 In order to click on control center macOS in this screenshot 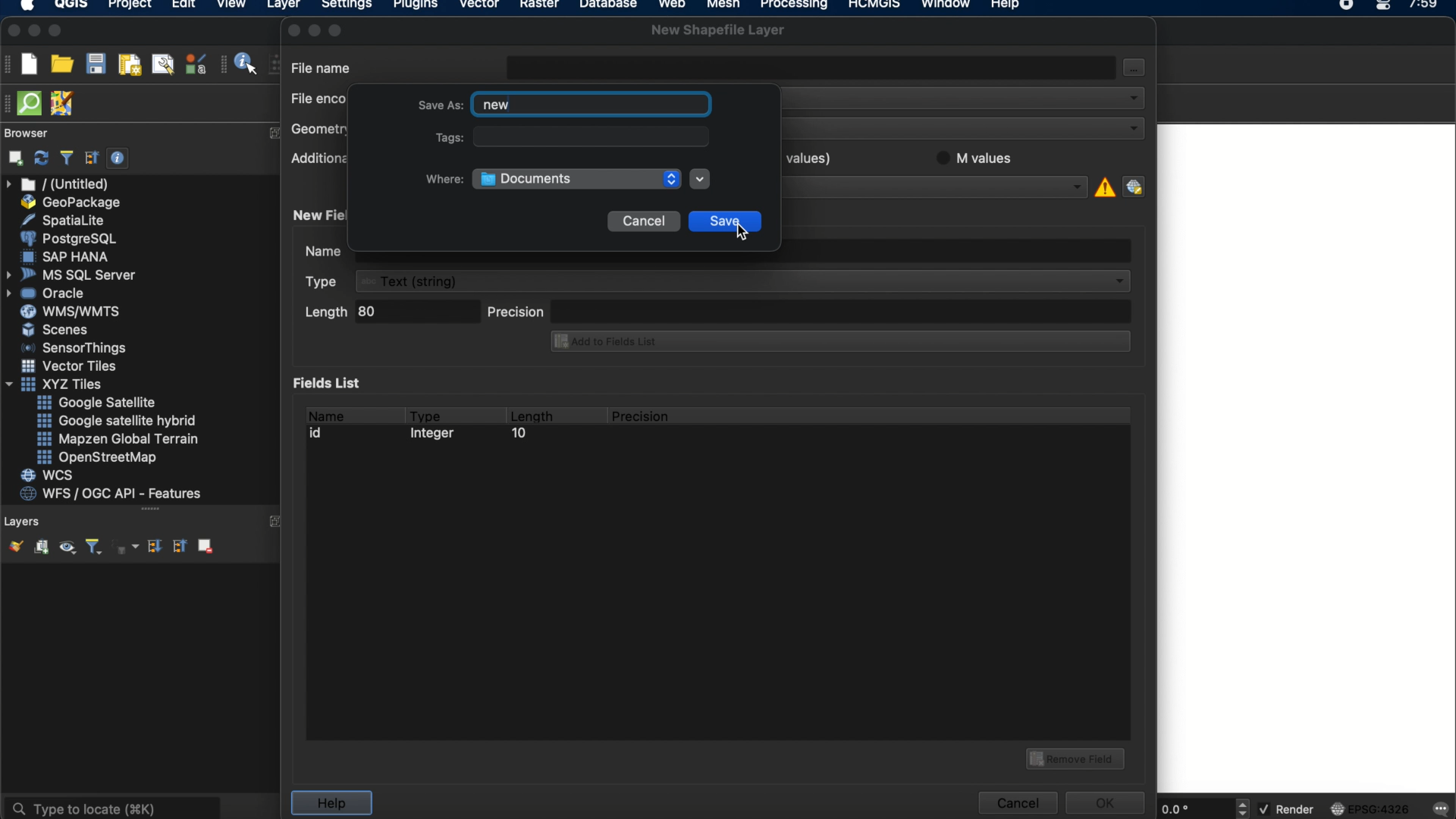, I will do `click(1382, 7)`.